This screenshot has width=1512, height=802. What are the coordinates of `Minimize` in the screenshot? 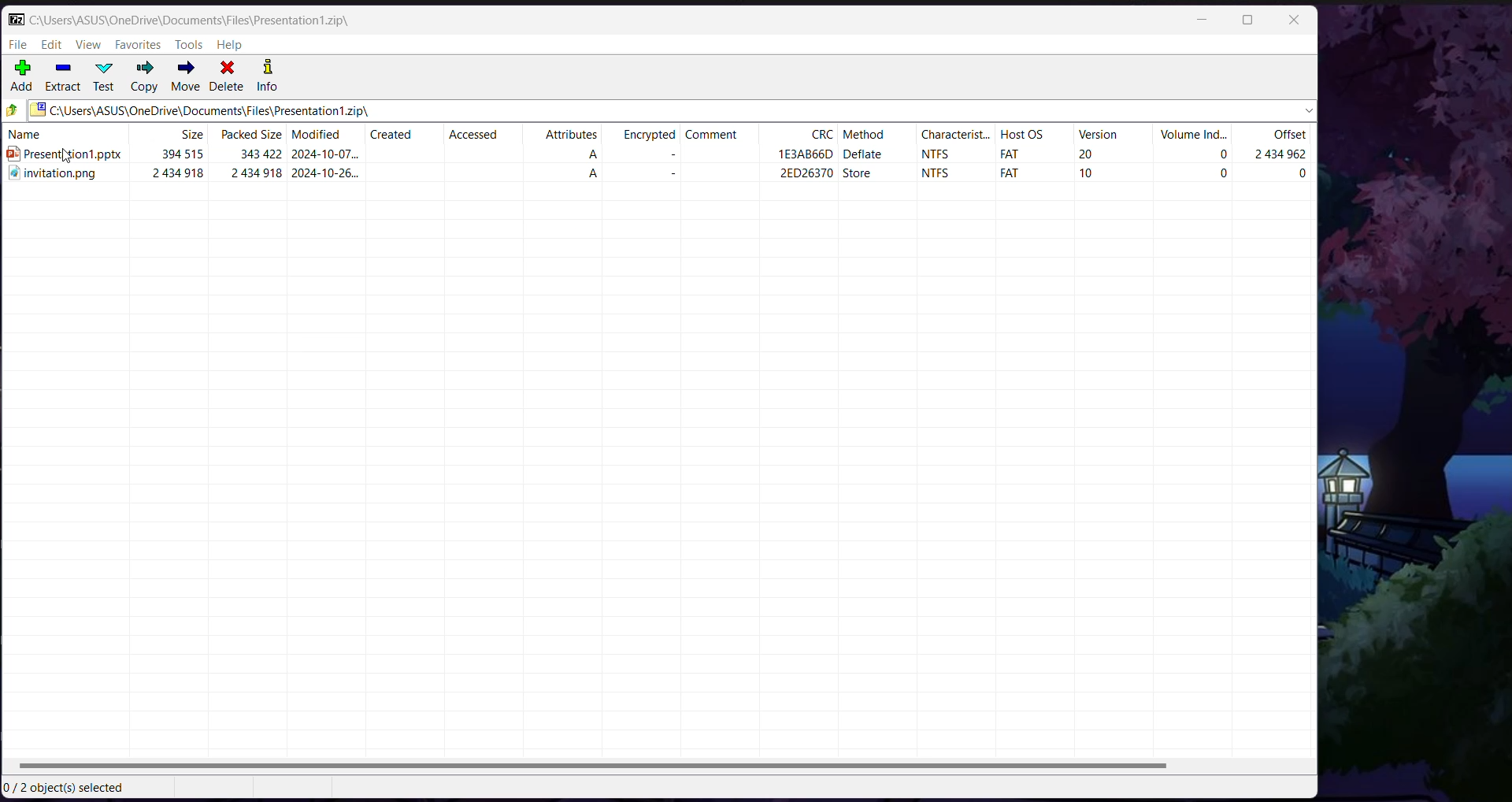 It's located at (1205, 20).